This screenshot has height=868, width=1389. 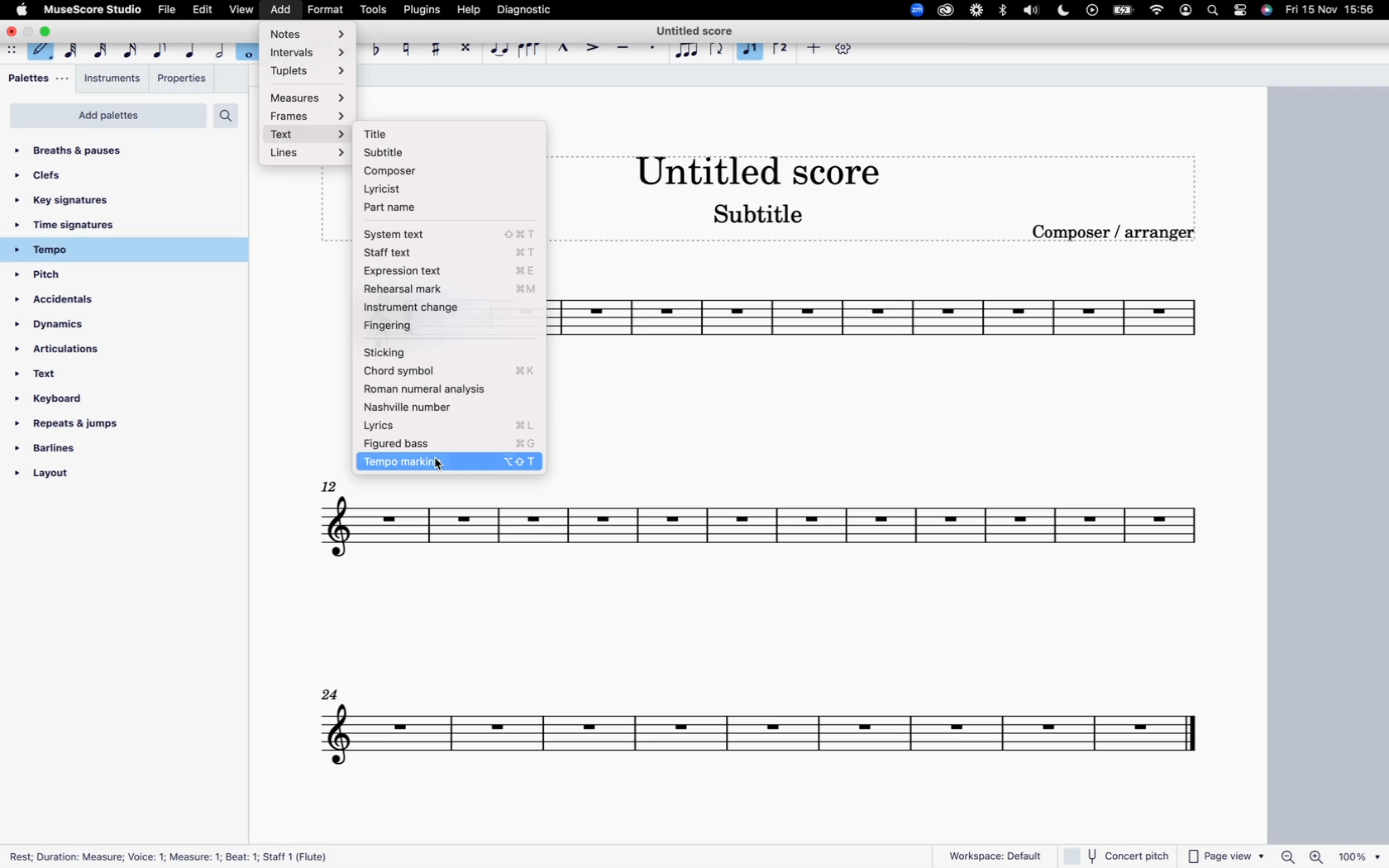 What do you see at coordinates (1124, 12) in the screenshot?
I see `battery` at bounding box center [1124, 12].